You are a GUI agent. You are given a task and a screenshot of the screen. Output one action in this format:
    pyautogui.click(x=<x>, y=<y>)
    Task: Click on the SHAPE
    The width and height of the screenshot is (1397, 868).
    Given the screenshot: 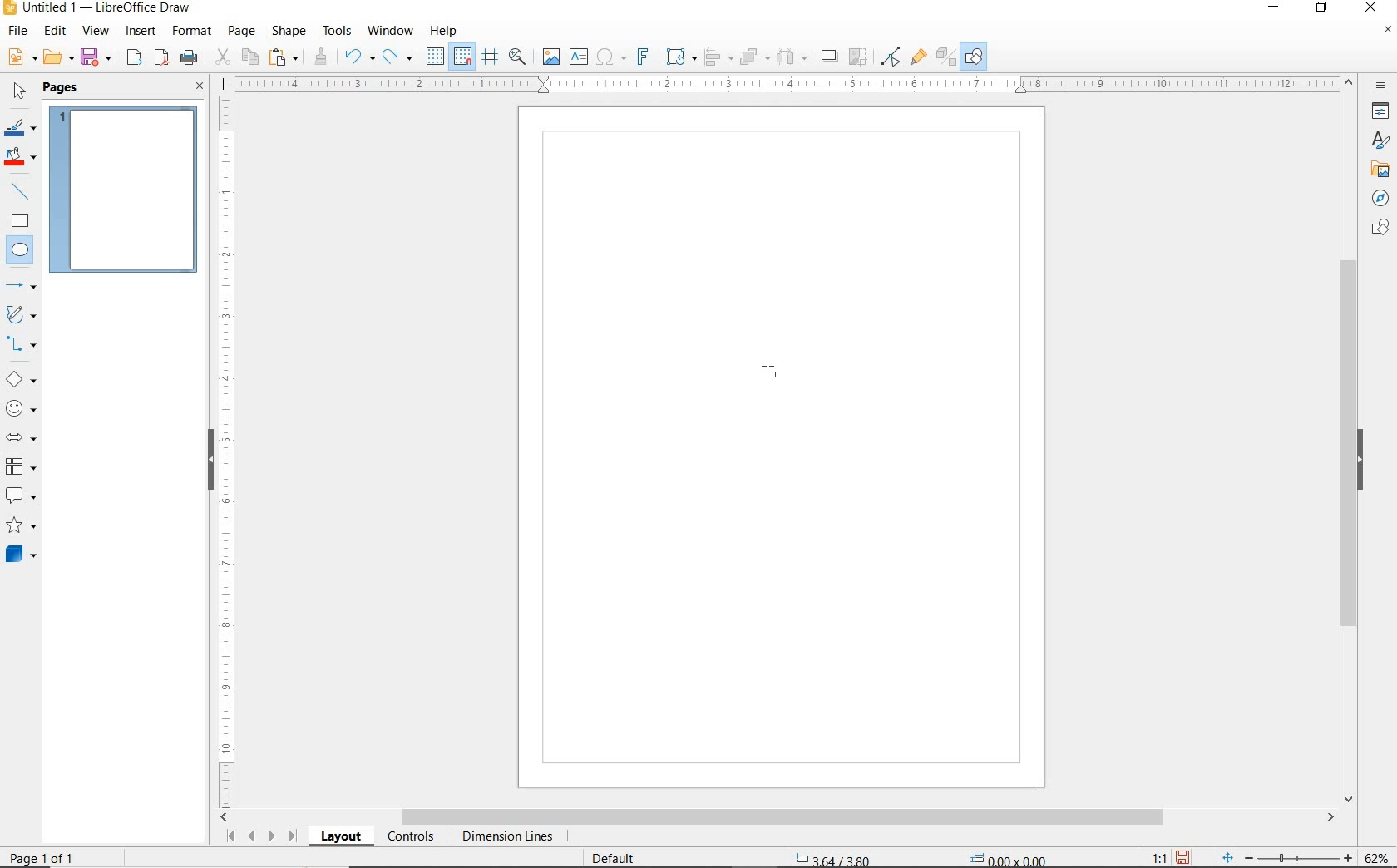 What is the action you would take?
    pyautogui.click(x=290, y=33)
    